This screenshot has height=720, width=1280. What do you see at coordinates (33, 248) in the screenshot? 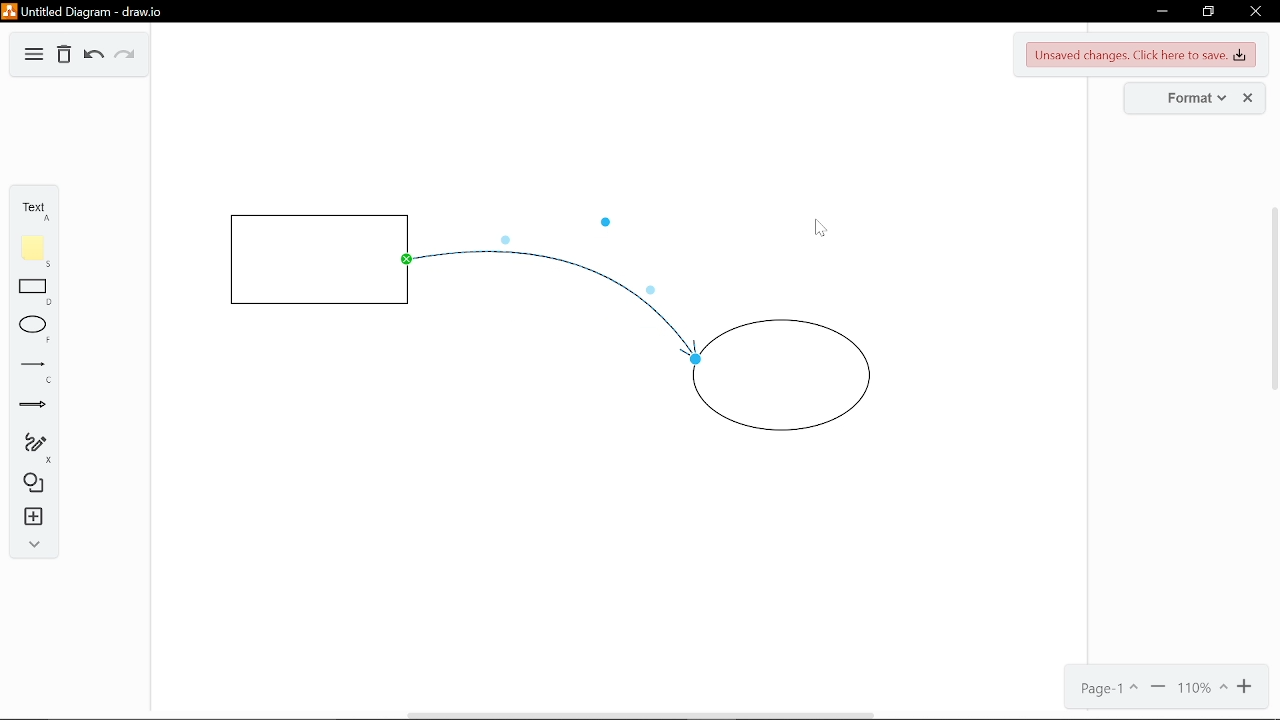
I see `Note` at bounding box center [33, 248].